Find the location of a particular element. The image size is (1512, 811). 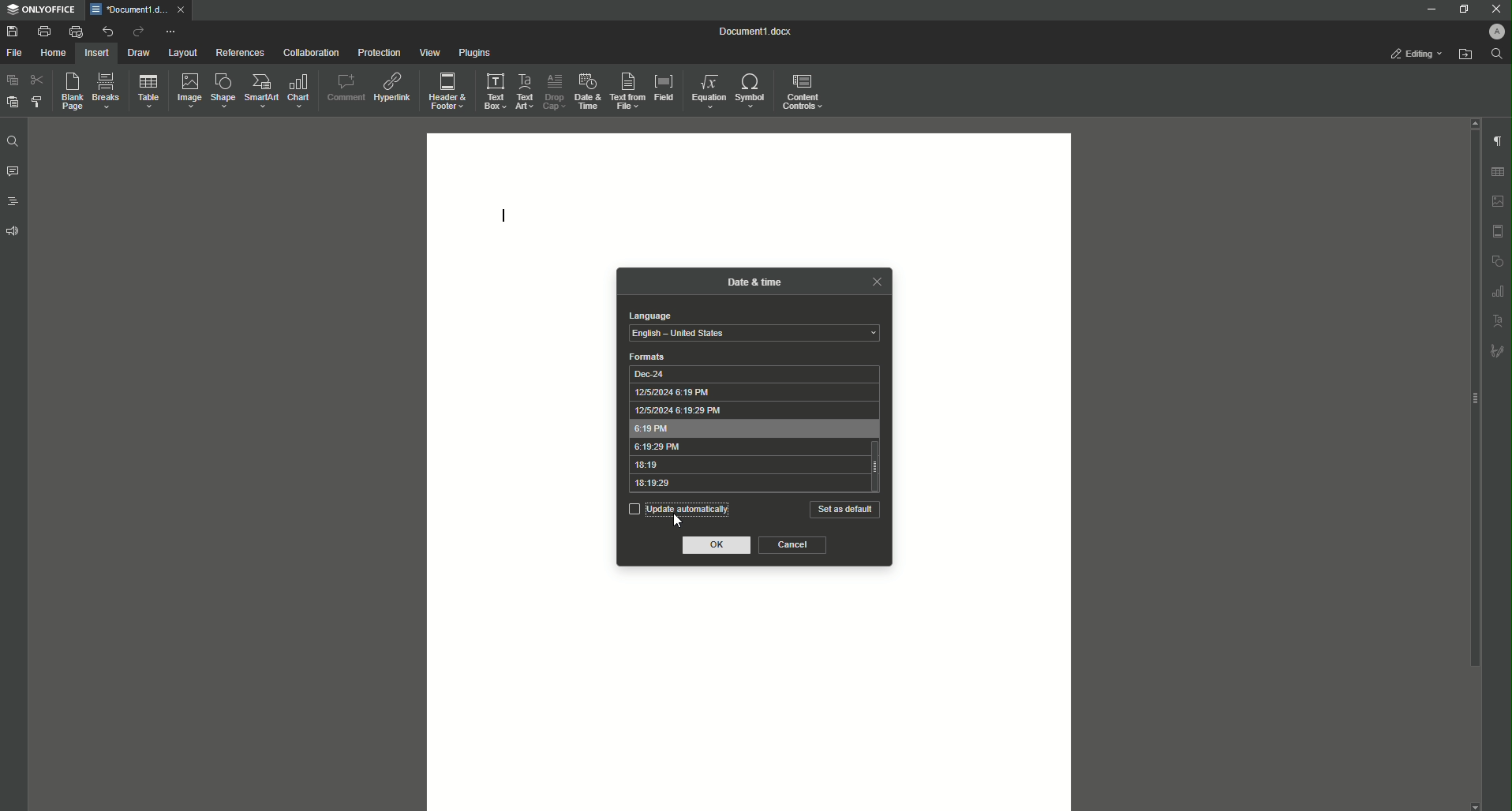

Equation is located at coordinates (709, 91).